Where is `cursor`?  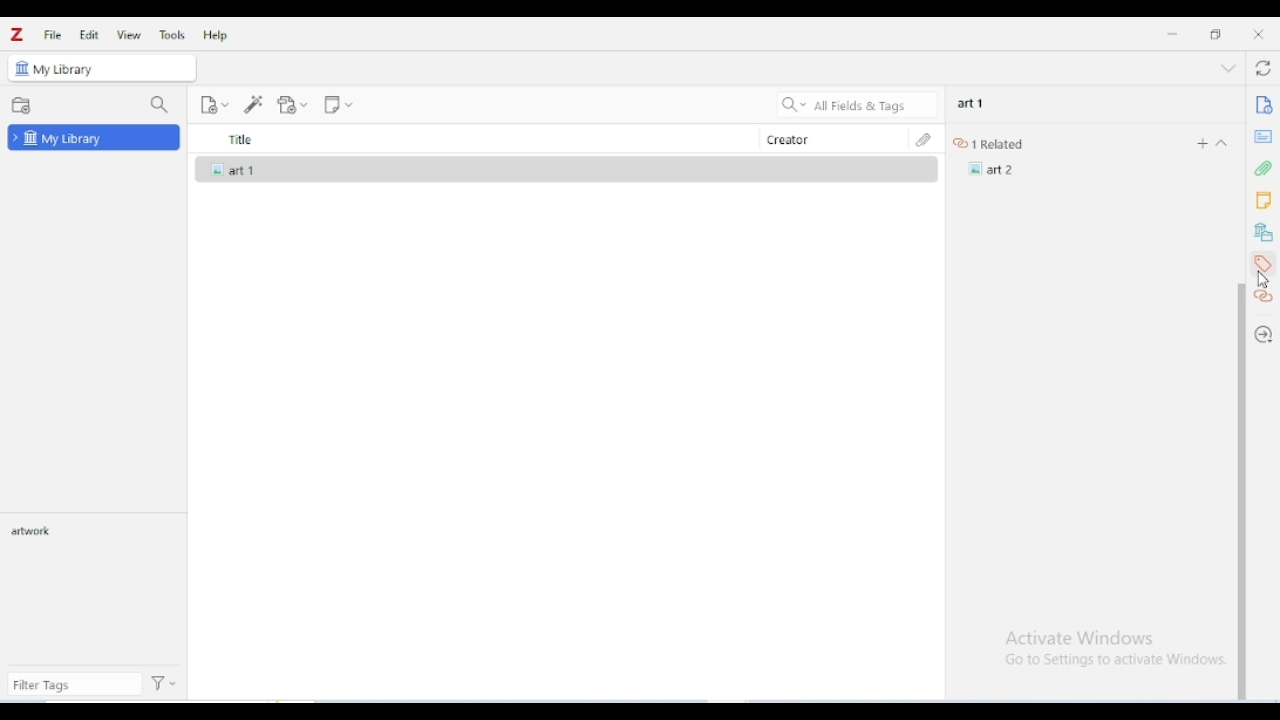 cursor is located at coordinates (1262, 279).